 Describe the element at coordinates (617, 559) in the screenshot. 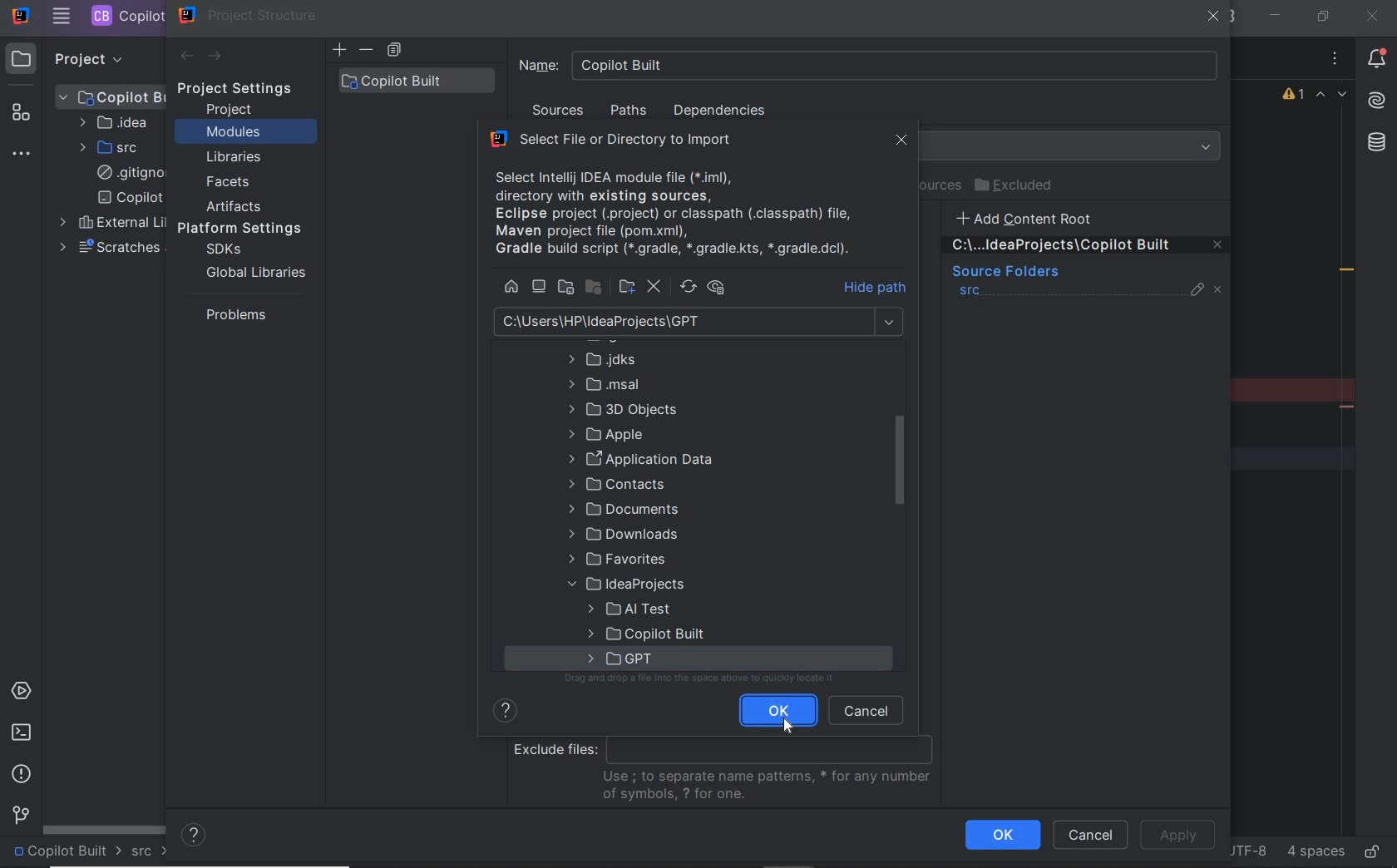

I see `folder` at that location.